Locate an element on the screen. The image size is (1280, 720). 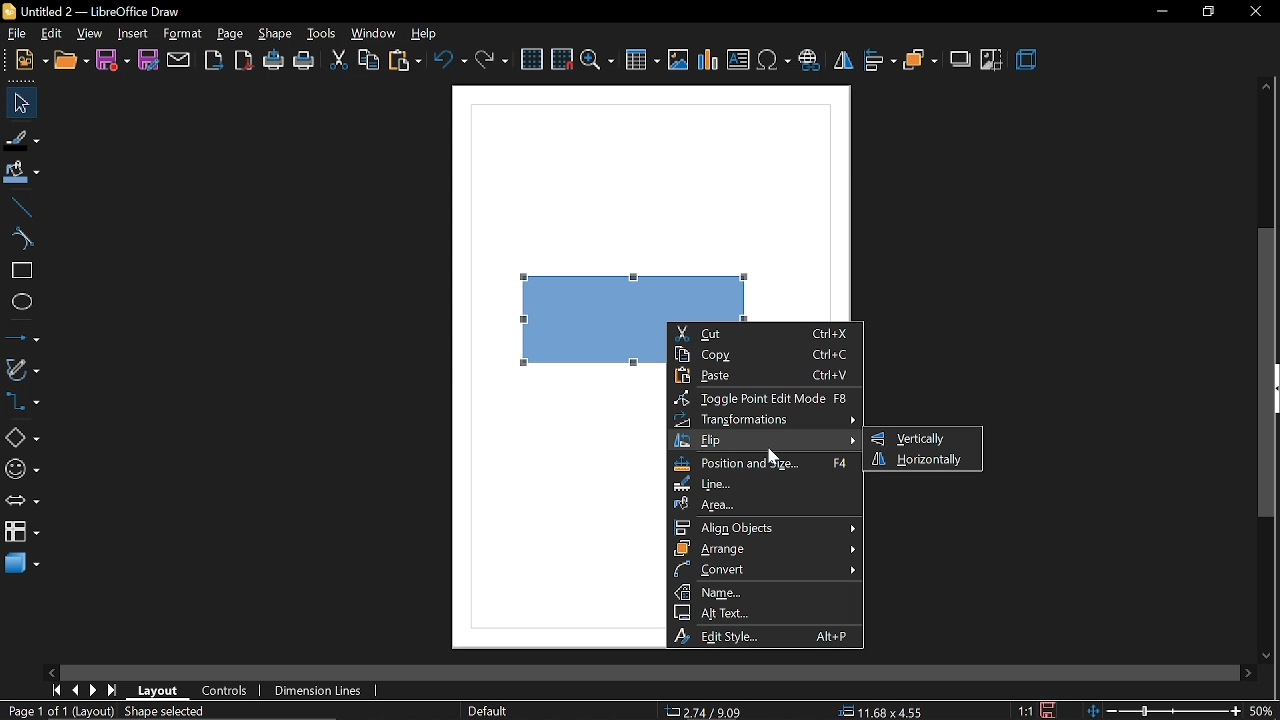
arrows is located at coordinates (22, 501).